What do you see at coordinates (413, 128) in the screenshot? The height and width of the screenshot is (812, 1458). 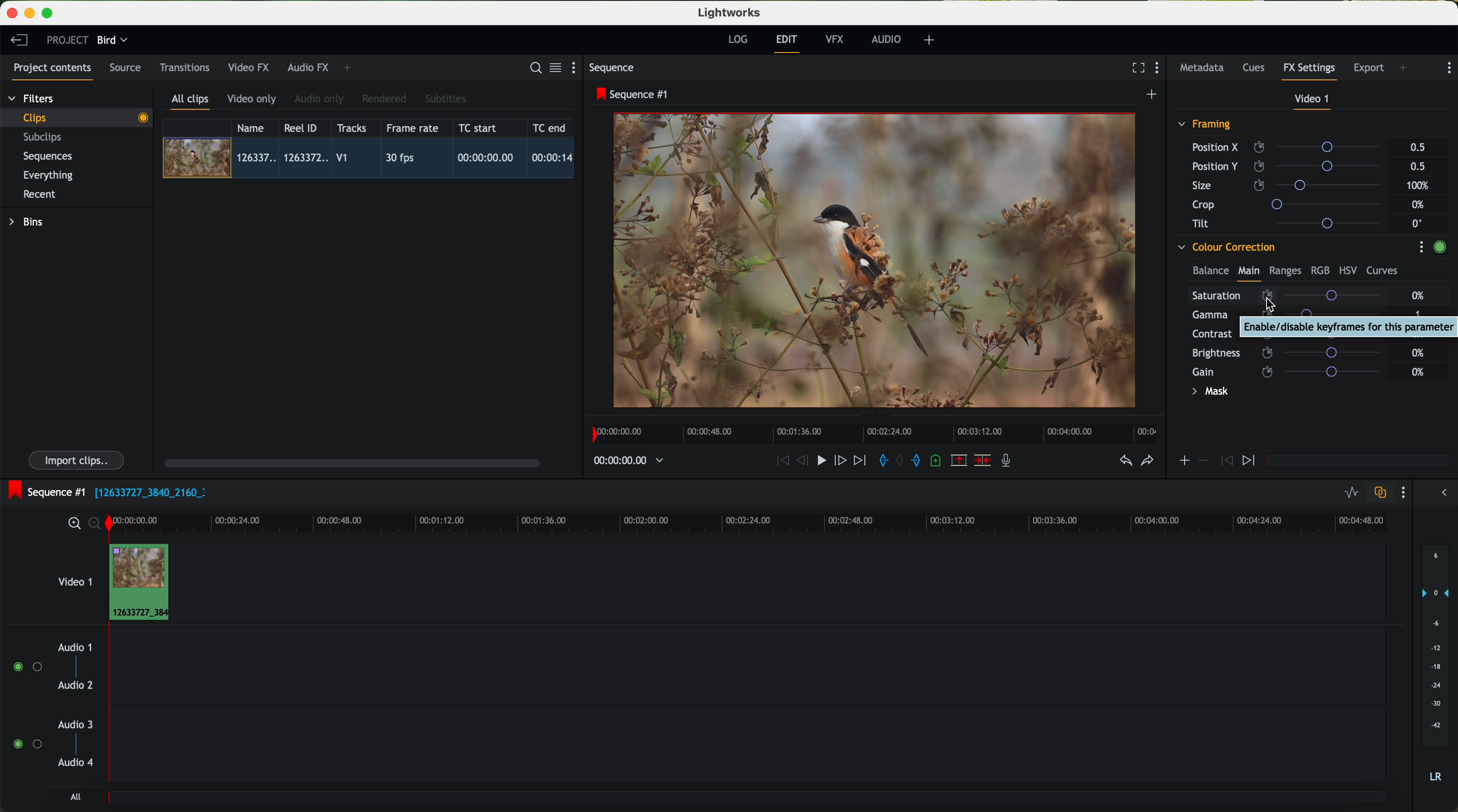 I see `frame rate` at bounding box center [413, 128].